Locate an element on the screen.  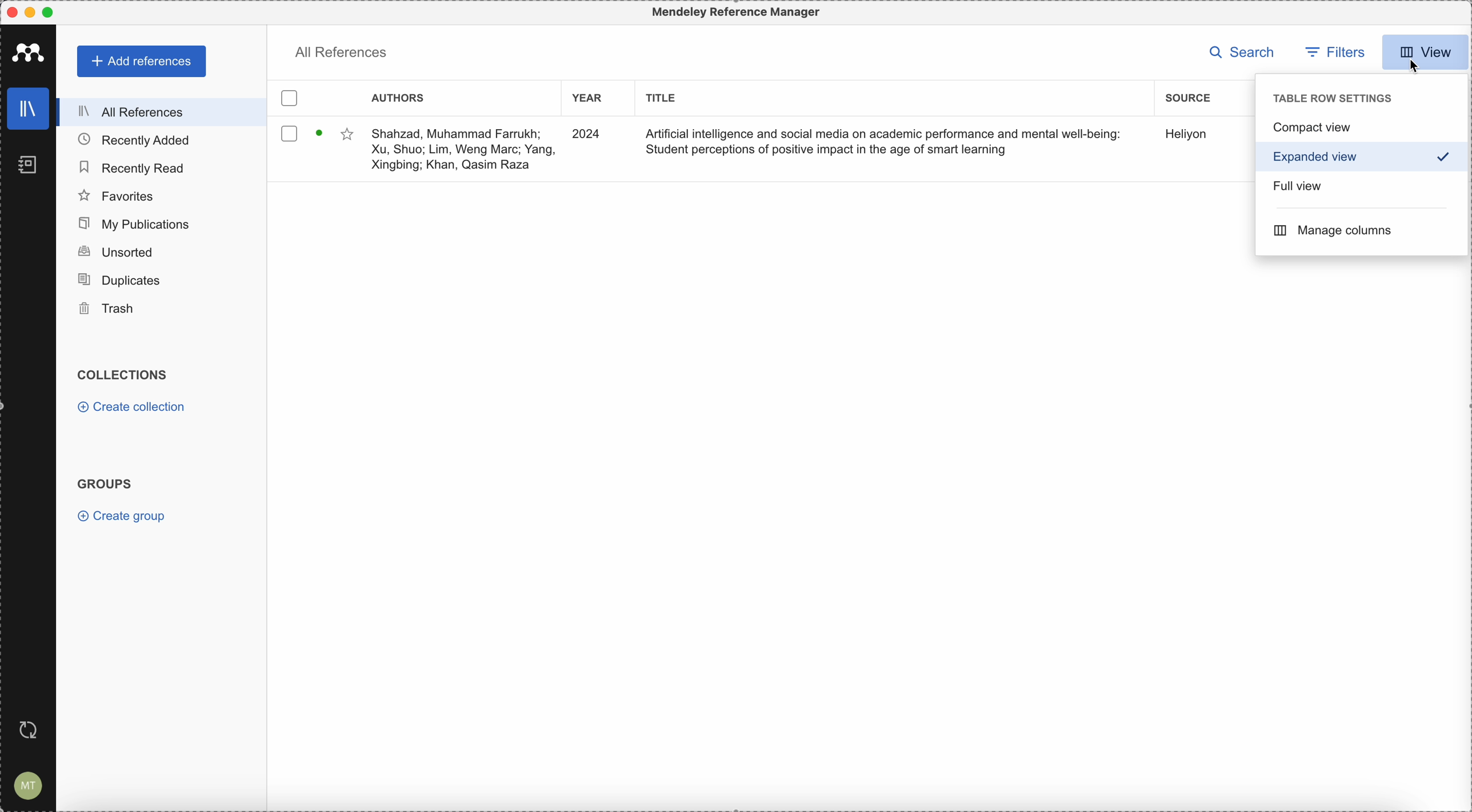
authors is located at coordinates (398, 99).